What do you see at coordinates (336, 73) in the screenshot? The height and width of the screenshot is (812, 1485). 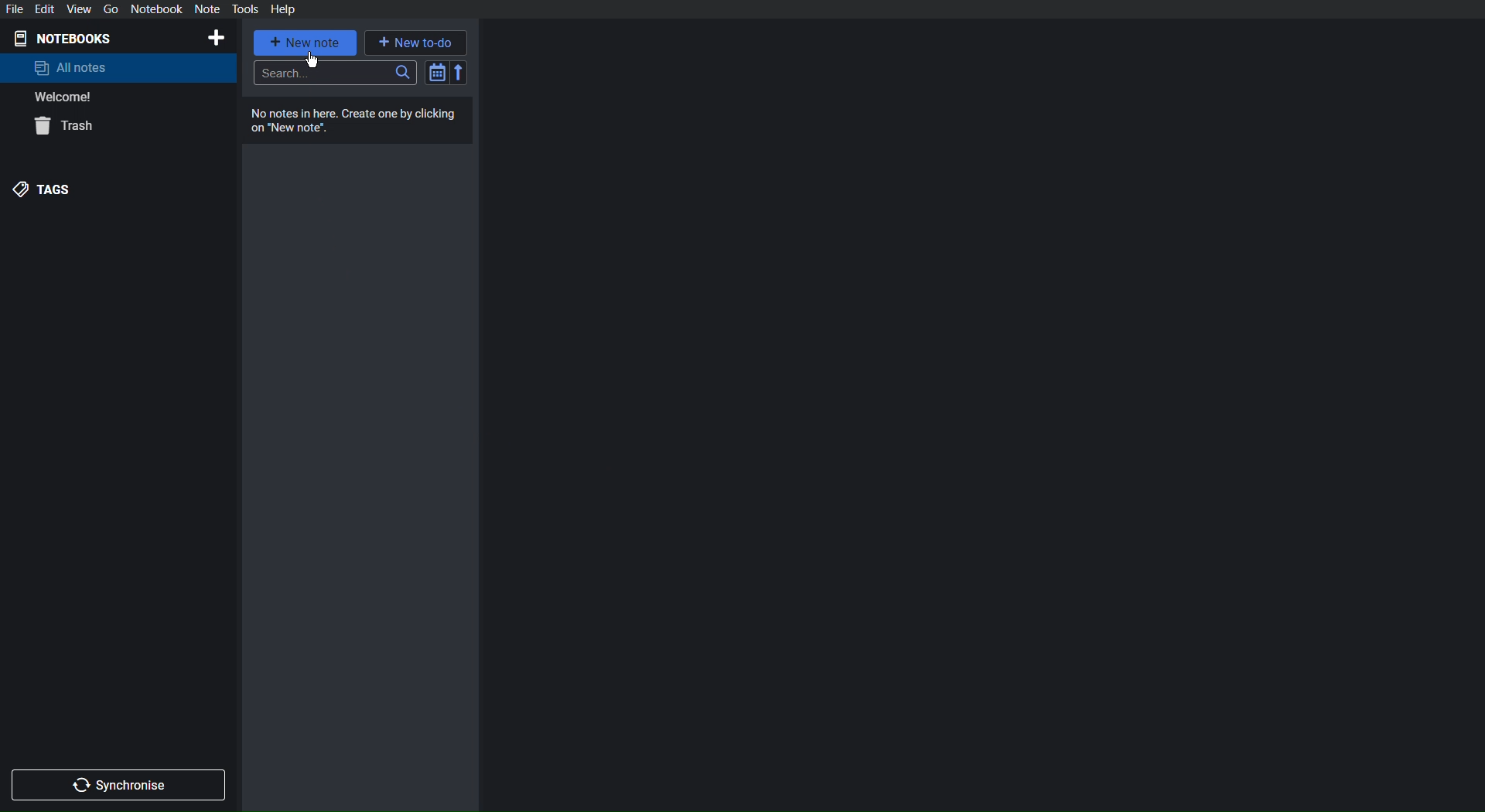 I see `Search` at bounding box center [336, 73].